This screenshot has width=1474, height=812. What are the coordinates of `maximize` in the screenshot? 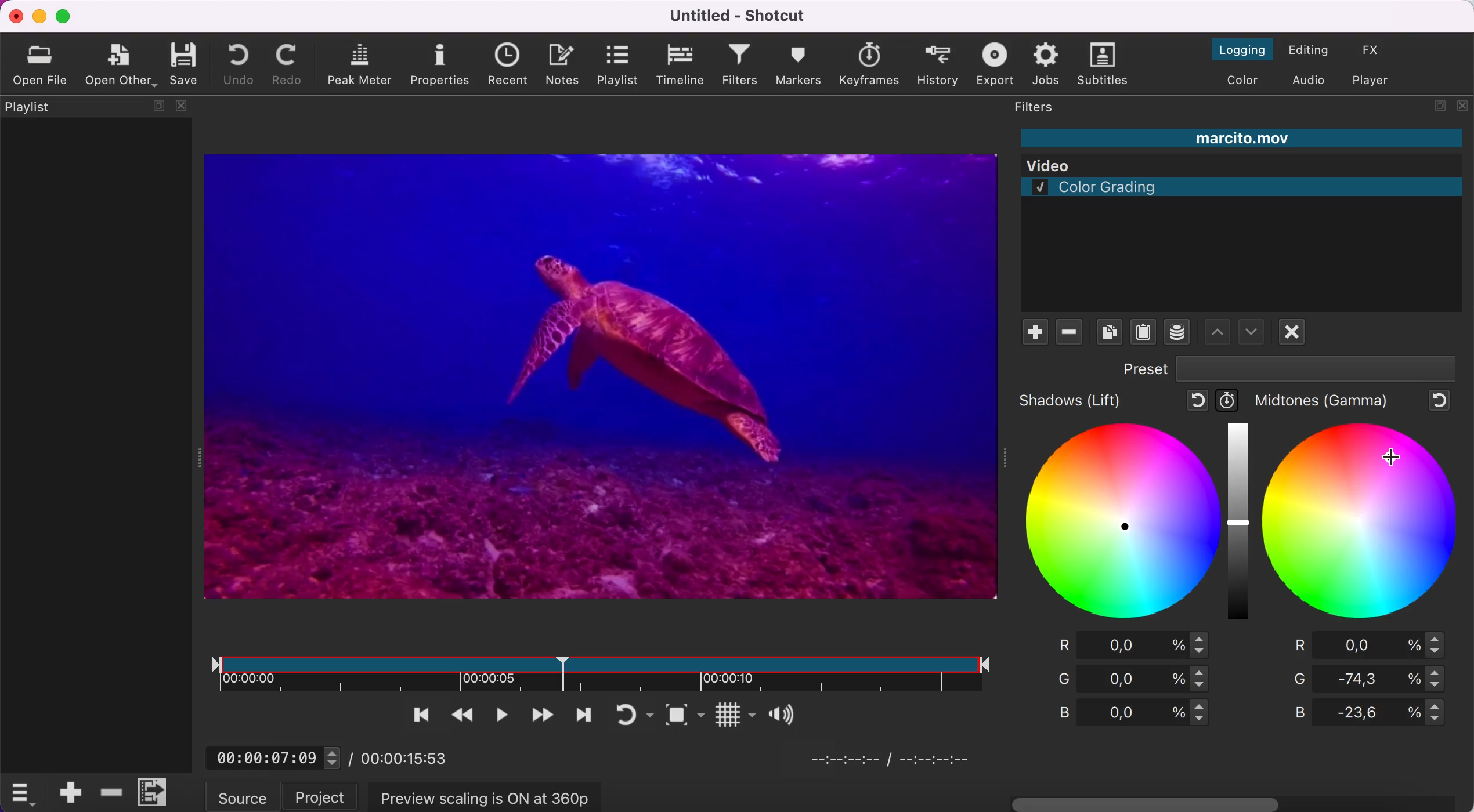 It's located at (1439, 108).